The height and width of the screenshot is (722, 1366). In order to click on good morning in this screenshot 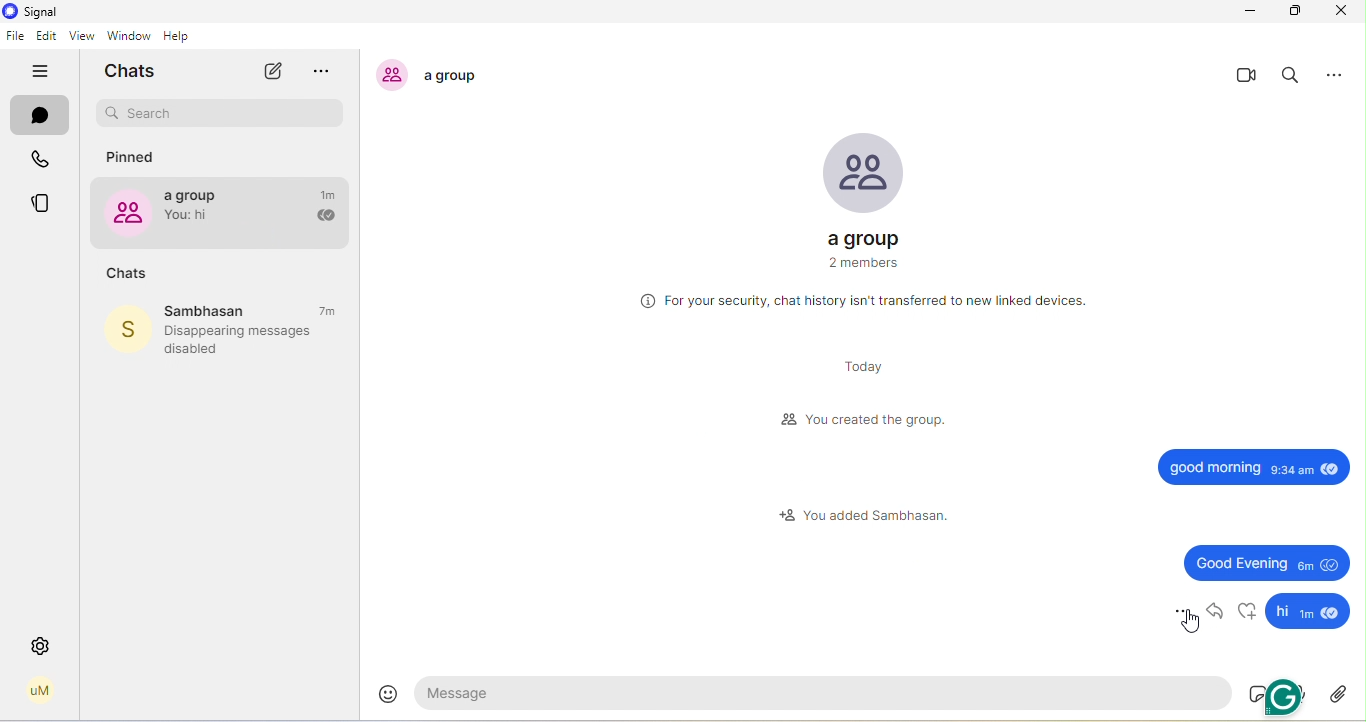, I will do `click(1256, 464)`.